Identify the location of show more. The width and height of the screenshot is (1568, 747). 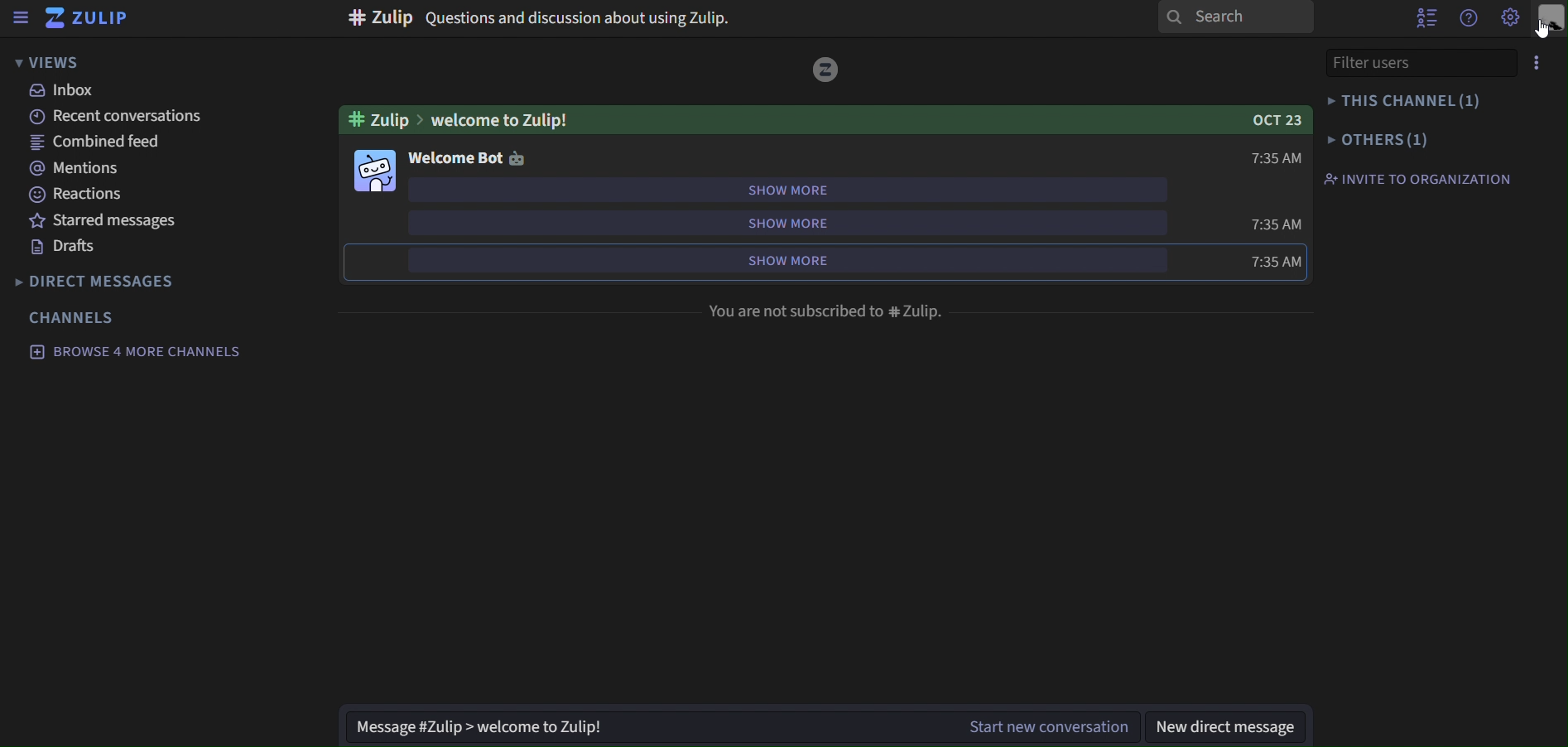
(785, 190).